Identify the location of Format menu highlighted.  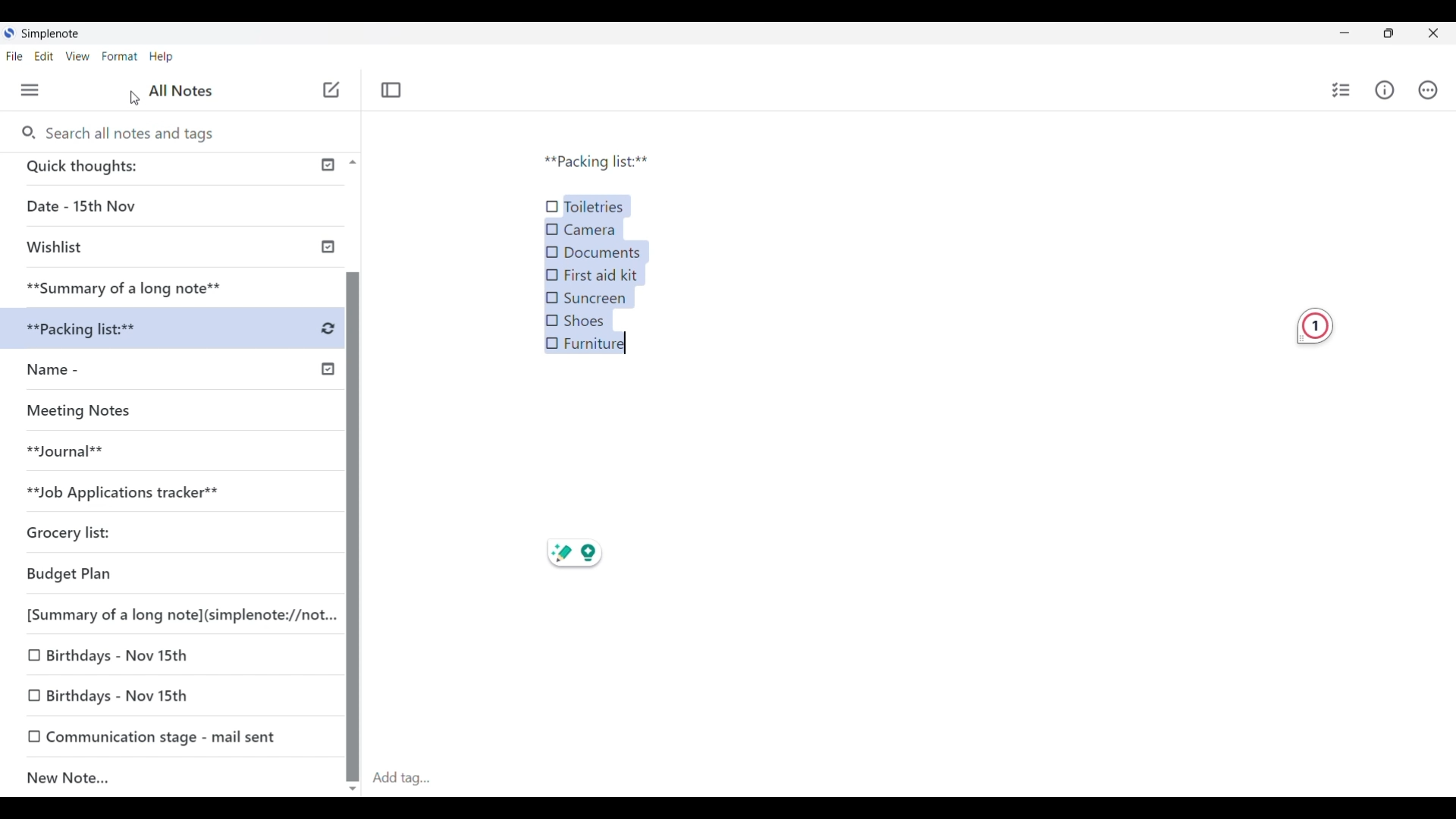
(119, 57).